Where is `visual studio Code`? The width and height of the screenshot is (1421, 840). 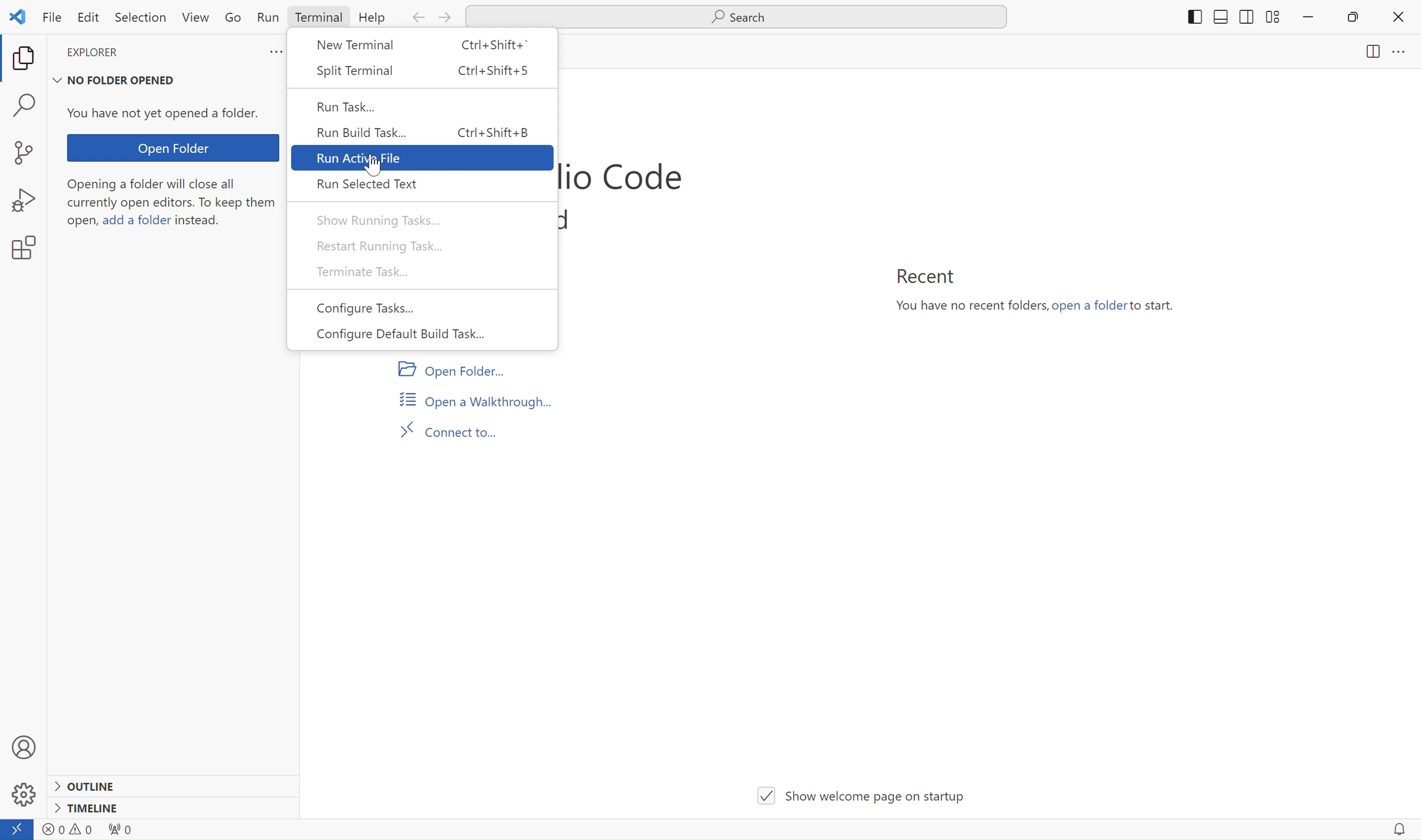
visual studio Code is located at coordinates (621, 178).